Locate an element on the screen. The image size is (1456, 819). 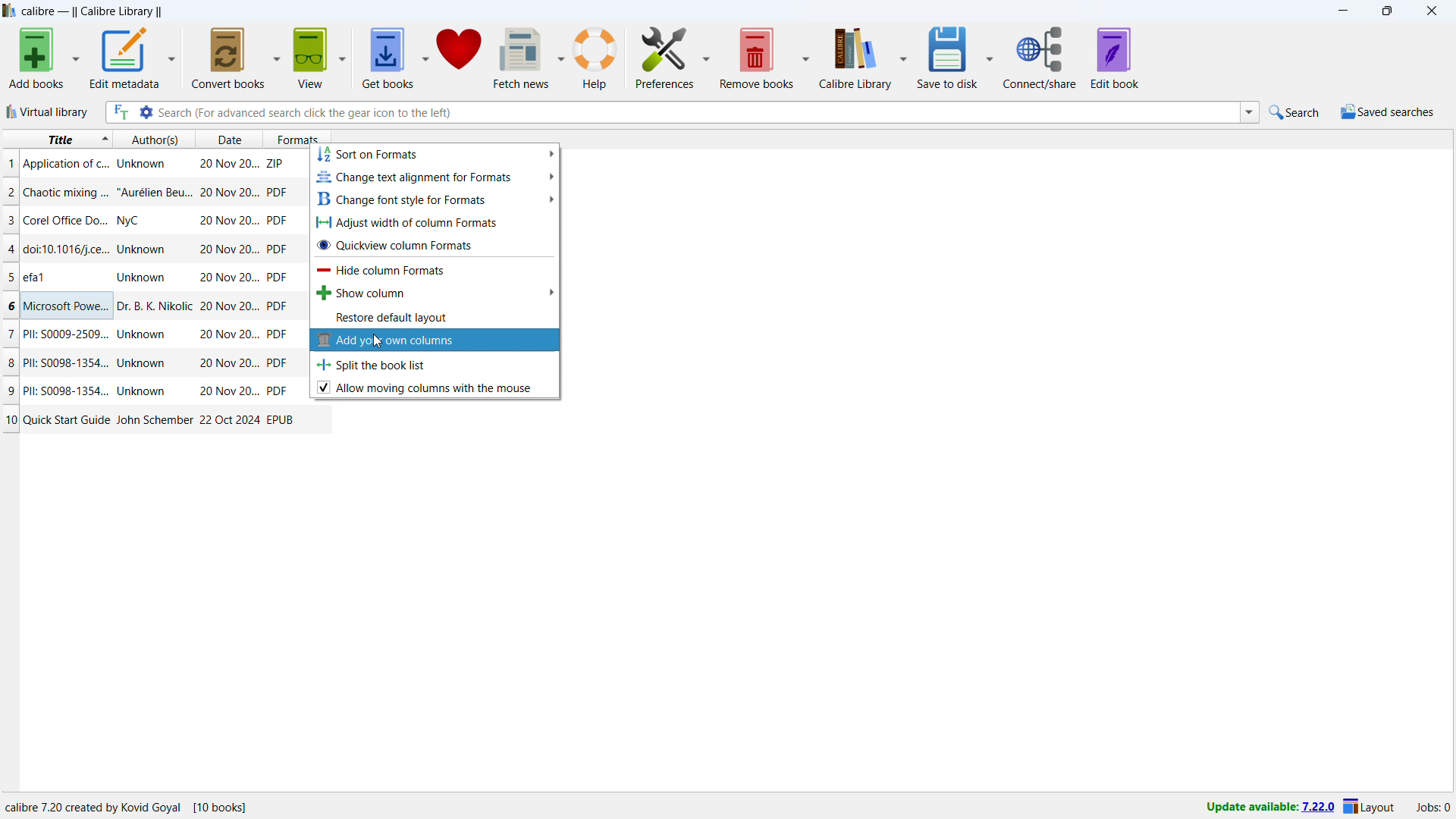
view is located at coordinates (311, 58).